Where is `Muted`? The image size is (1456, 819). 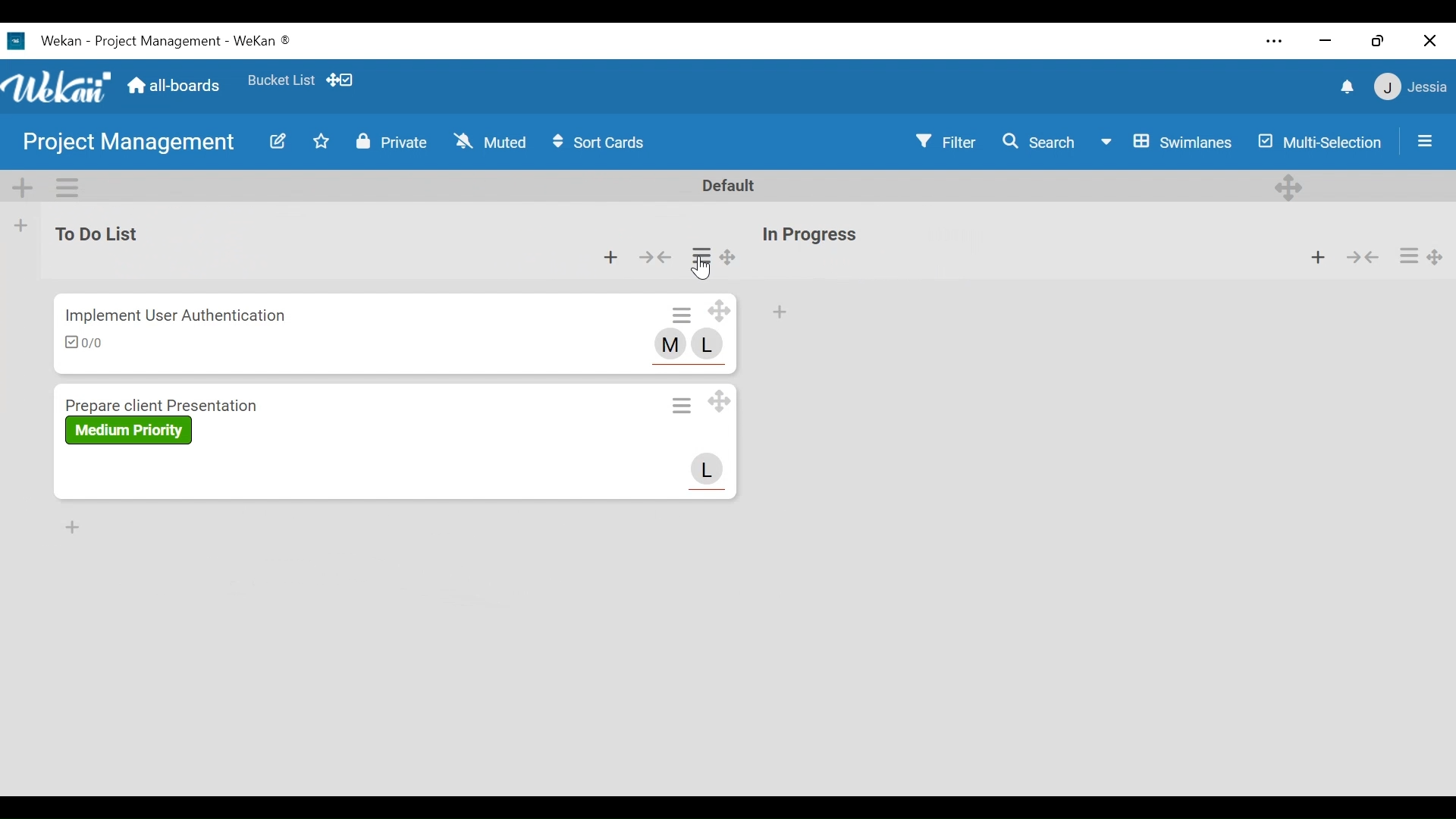
Muted is located at coordinates (493, 142).